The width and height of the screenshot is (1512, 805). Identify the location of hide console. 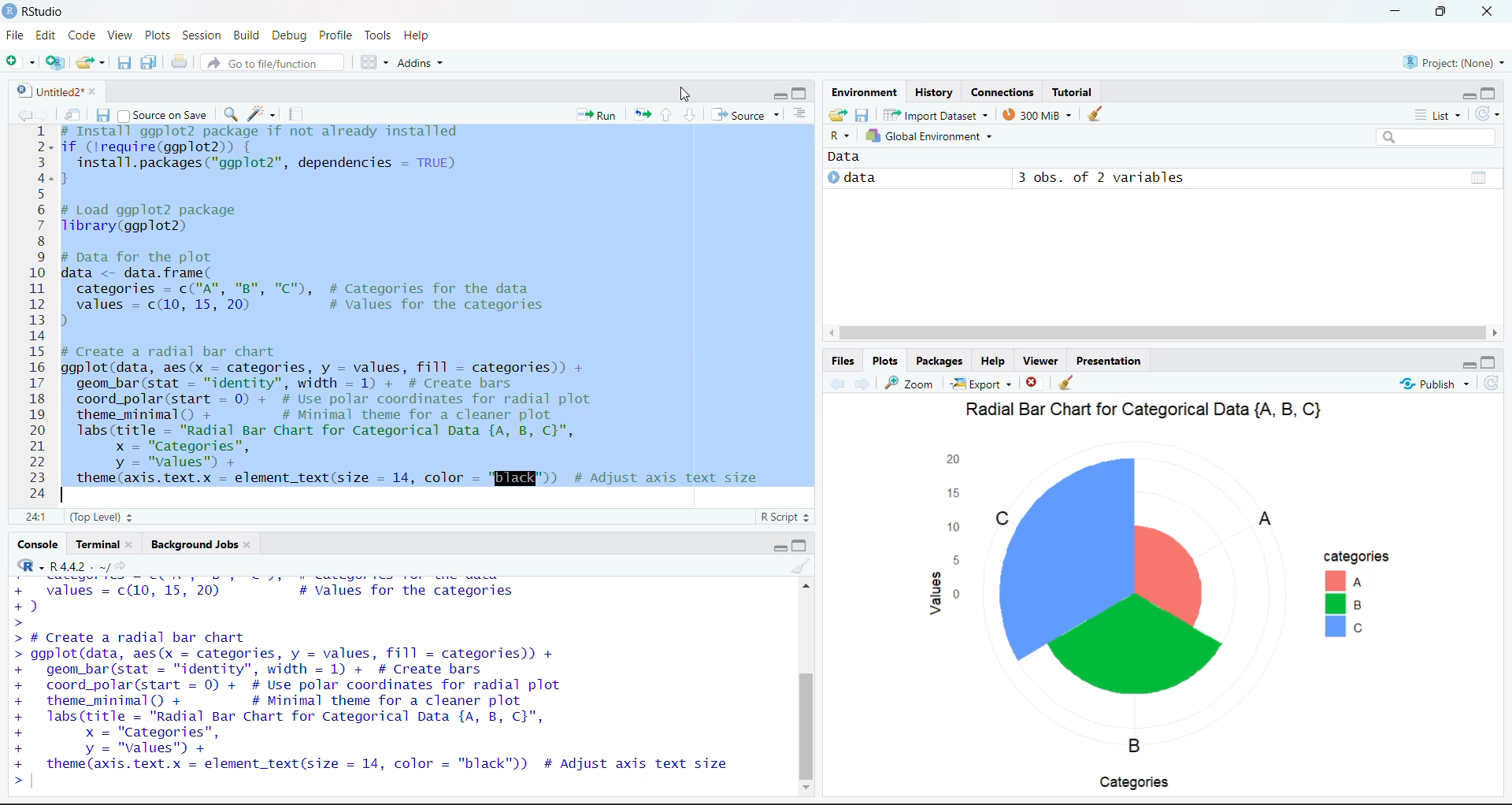
(1492, 363).